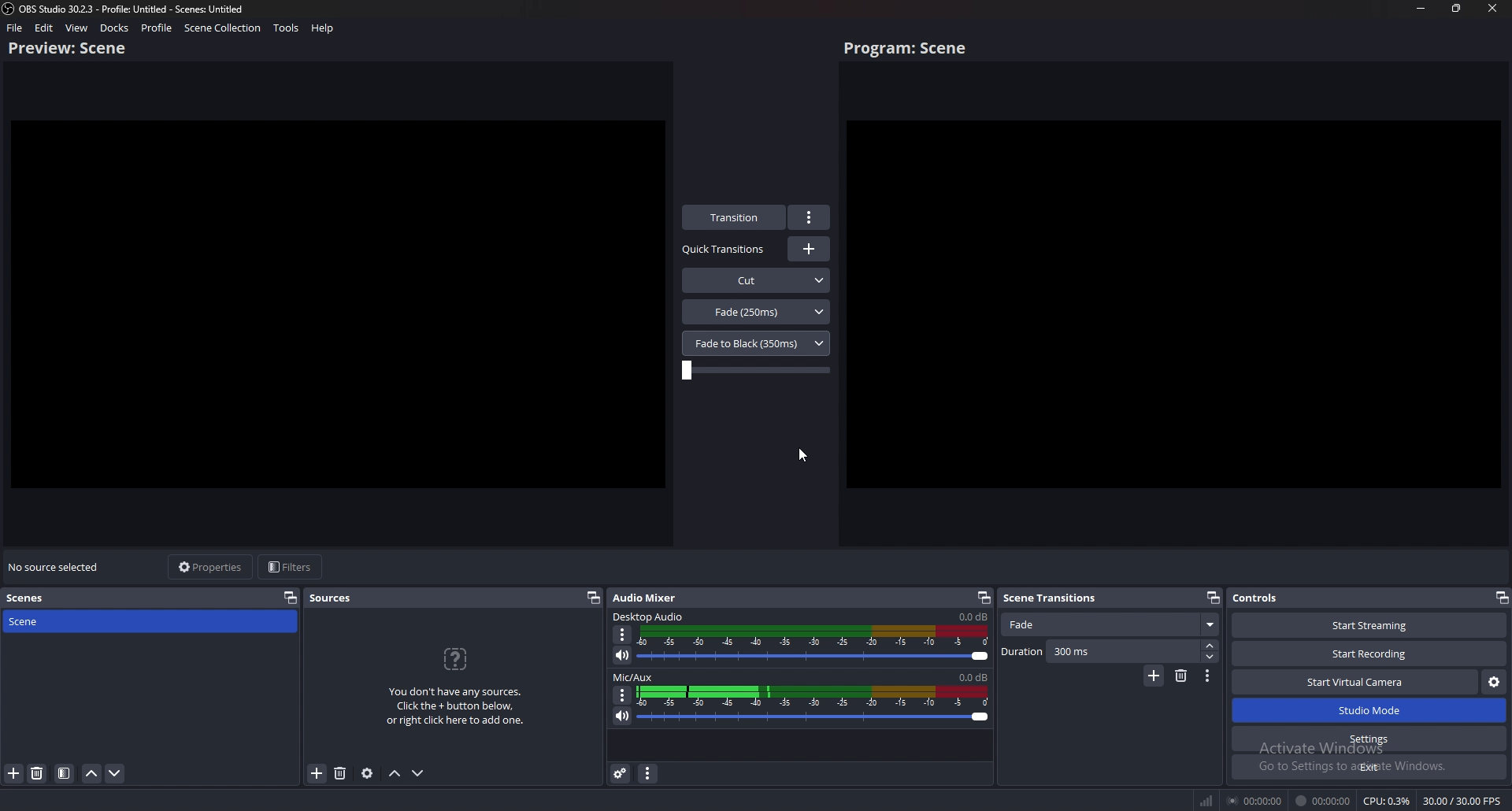  Describe the element at coordinates (636, 676) in the screenshot. I see `mic/aux` at that location.